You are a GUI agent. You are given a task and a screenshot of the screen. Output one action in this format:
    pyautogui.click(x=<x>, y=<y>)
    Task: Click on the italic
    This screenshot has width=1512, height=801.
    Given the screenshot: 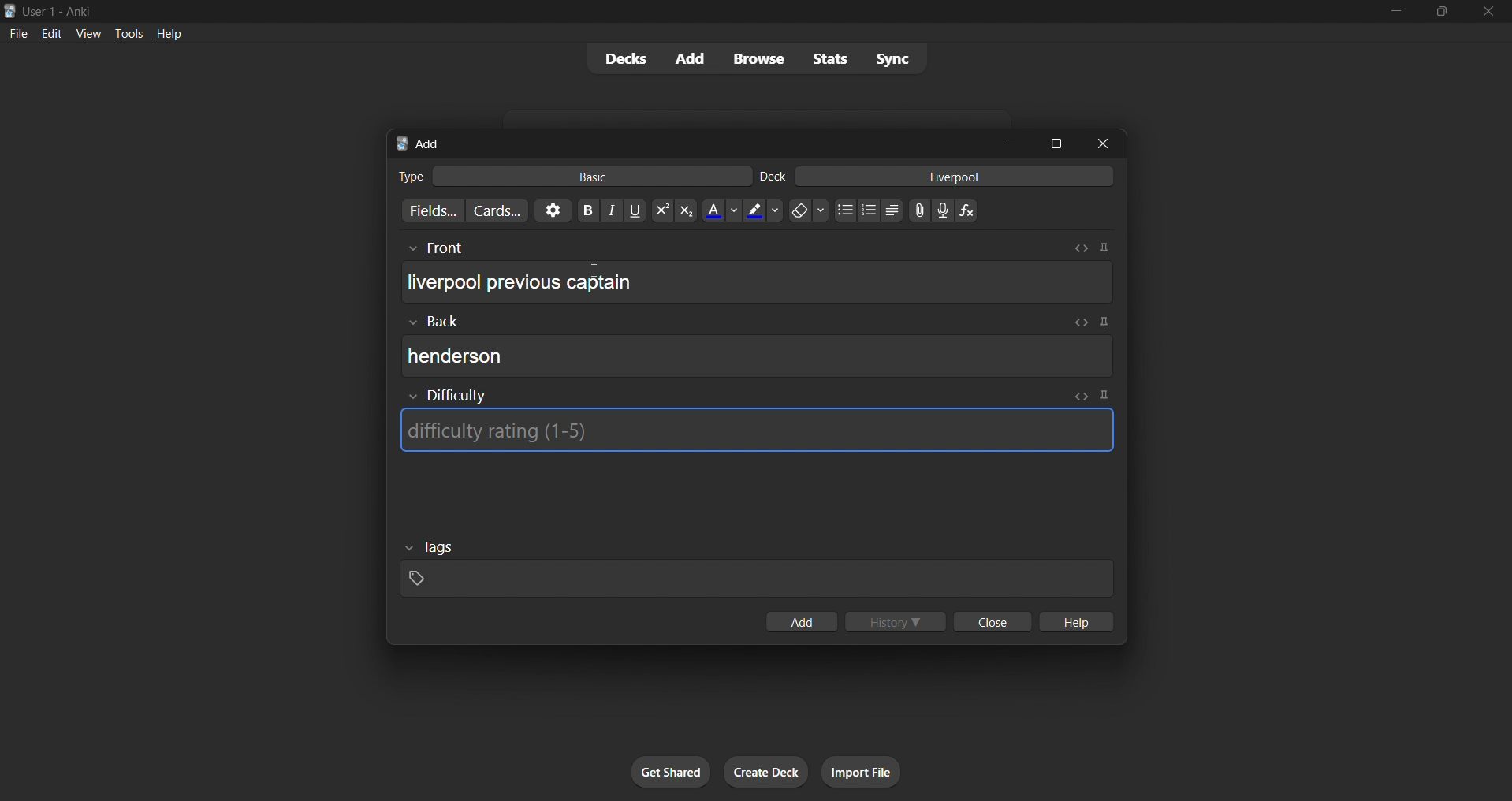 What is the action you would take?
    pyautogui.click(x=613, y=212)
    